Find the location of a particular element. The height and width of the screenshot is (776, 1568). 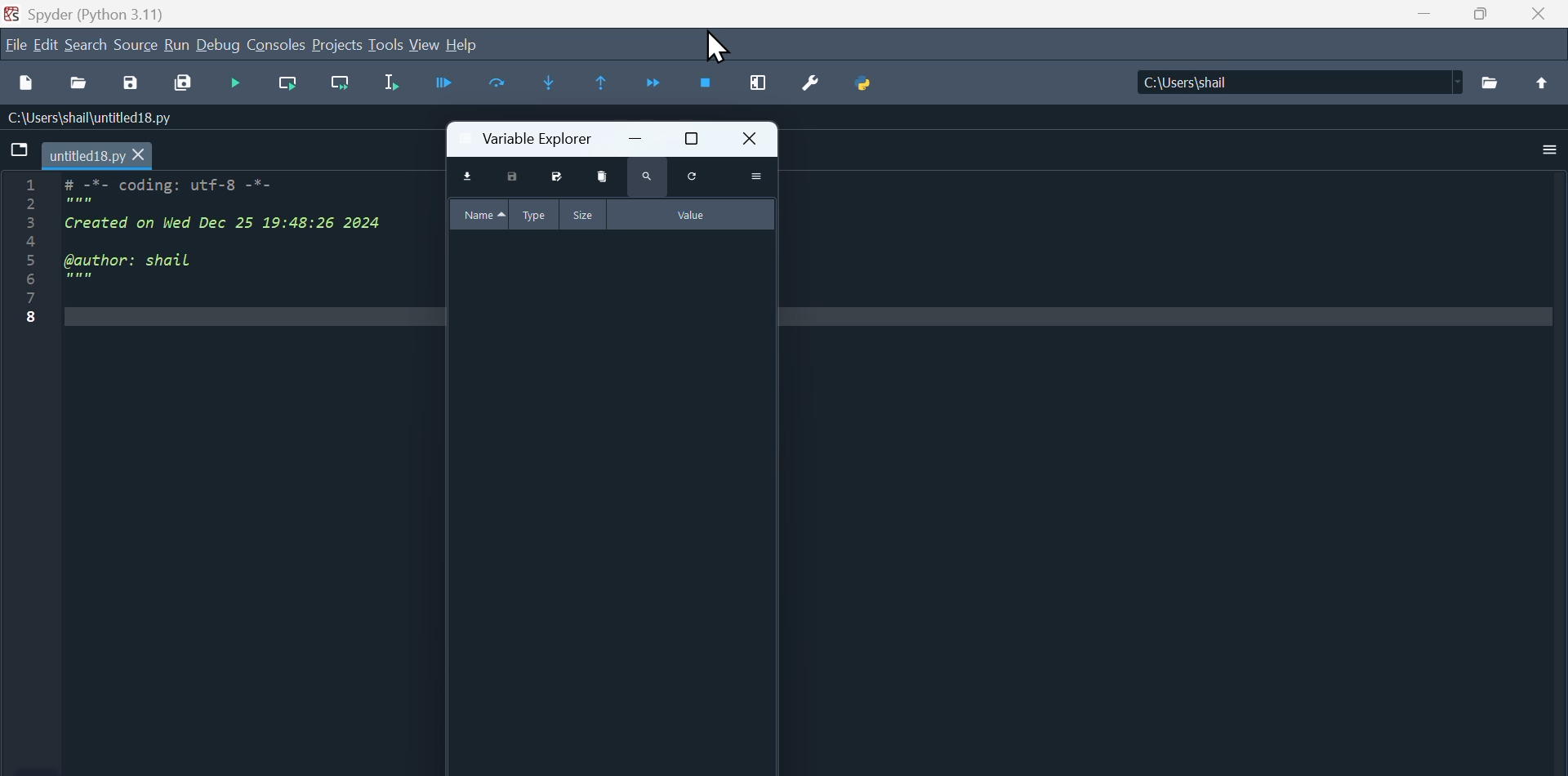

name  is located at coordinates (475, 214).